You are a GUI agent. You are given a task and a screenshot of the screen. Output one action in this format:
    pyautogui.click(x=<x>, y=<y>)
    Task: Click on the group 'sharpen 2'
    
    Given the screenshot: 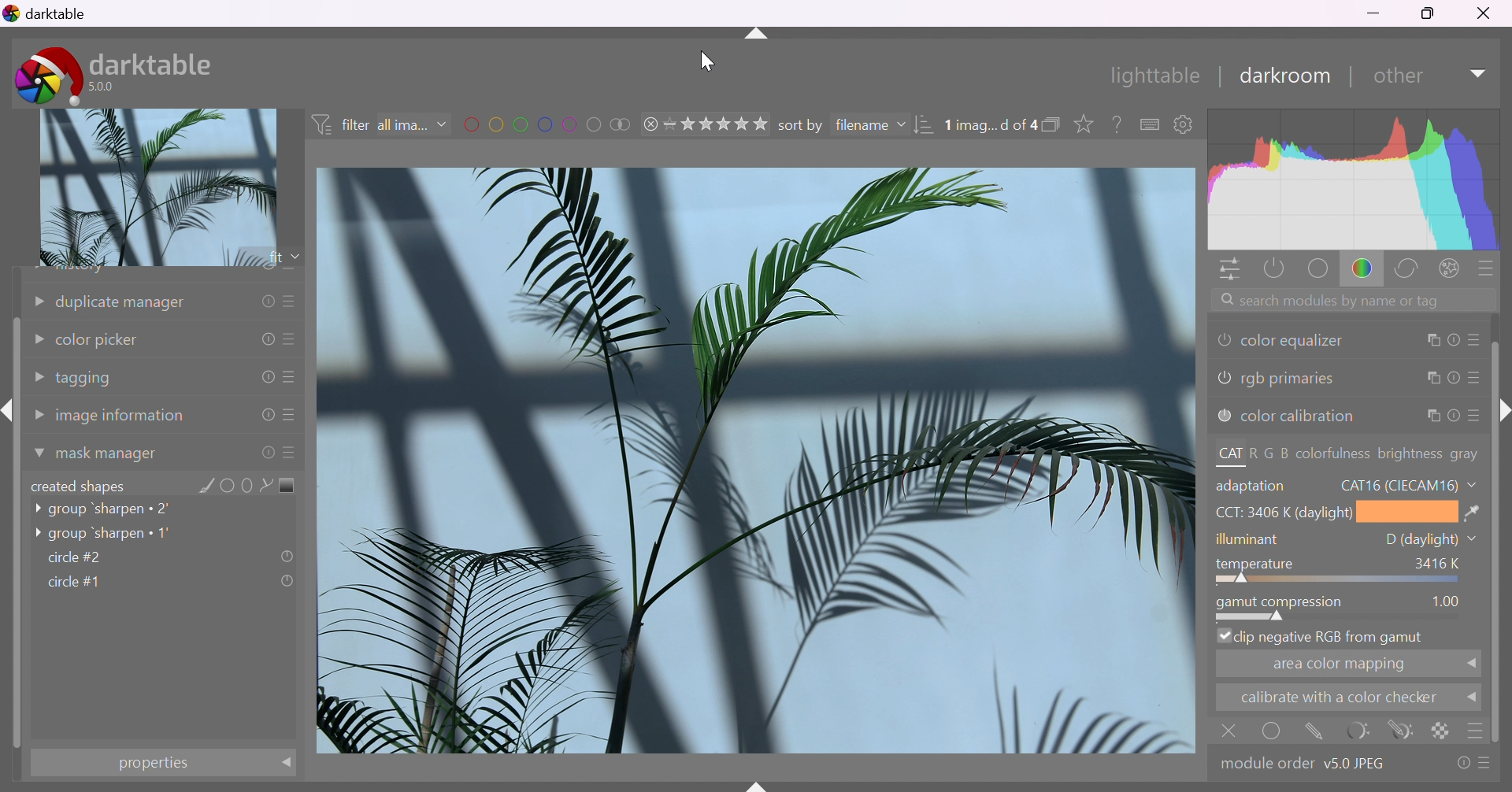 What is the action you would take?
    pyautogui.click(x=100, y=511)
    